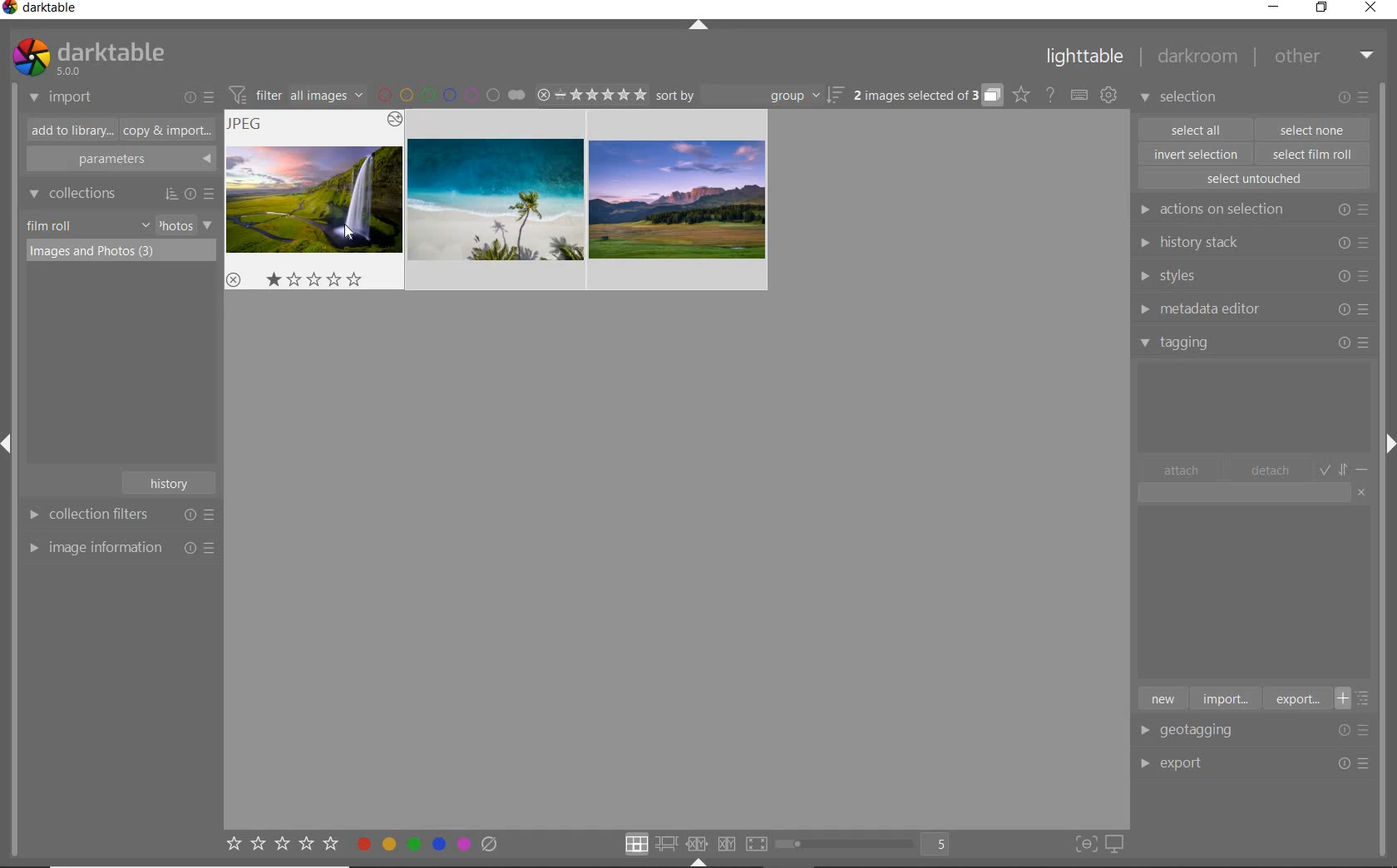 The height and width of the screenshot is (868, 1397). Describe the element at coordinates (699, 862) in the screenshot. I see `Expand/Collapse` at that location.